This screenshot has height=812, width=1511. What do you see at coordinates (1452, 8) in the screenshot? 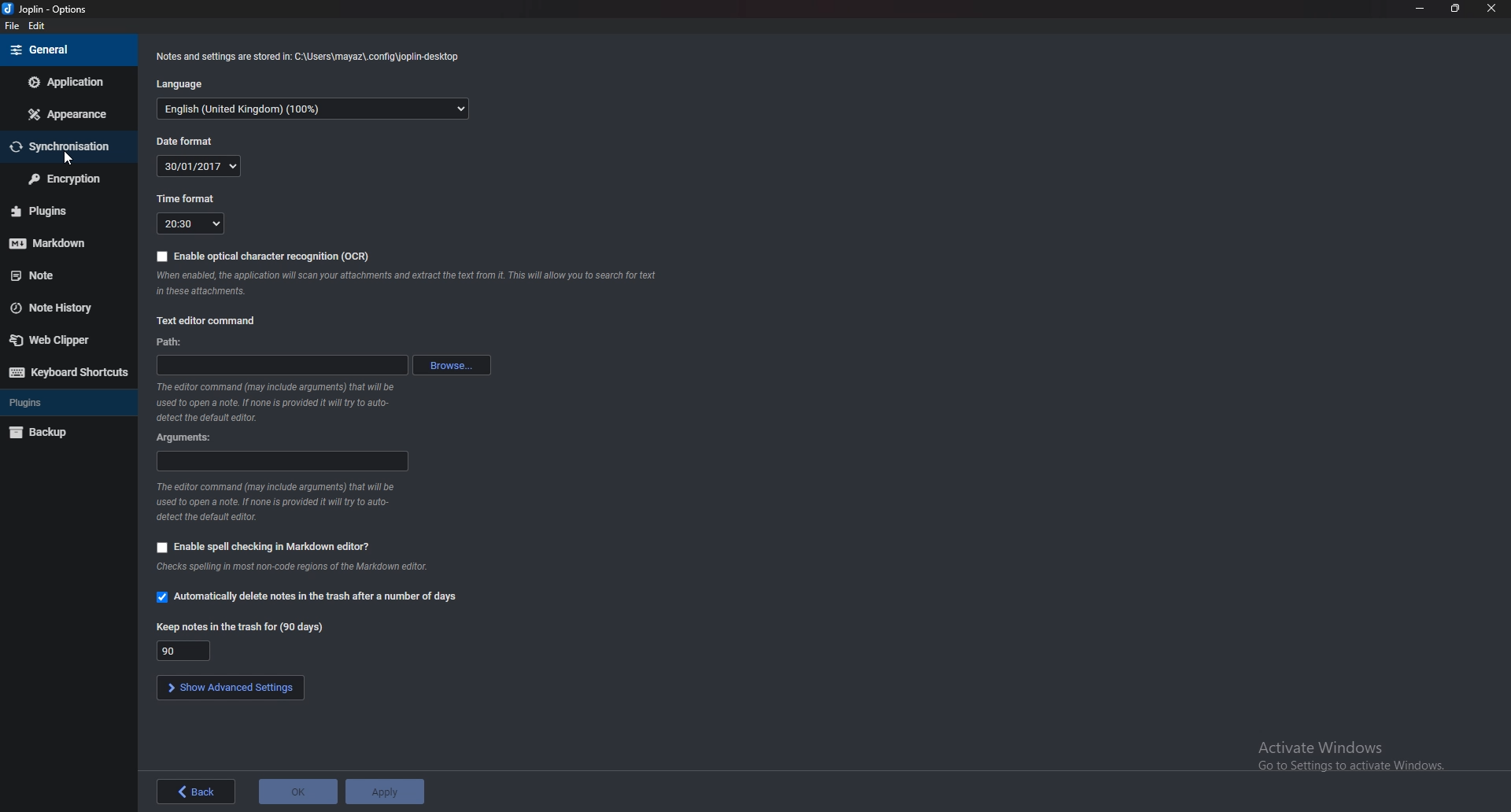
I see `resize` at bounding box center [1452, 8].